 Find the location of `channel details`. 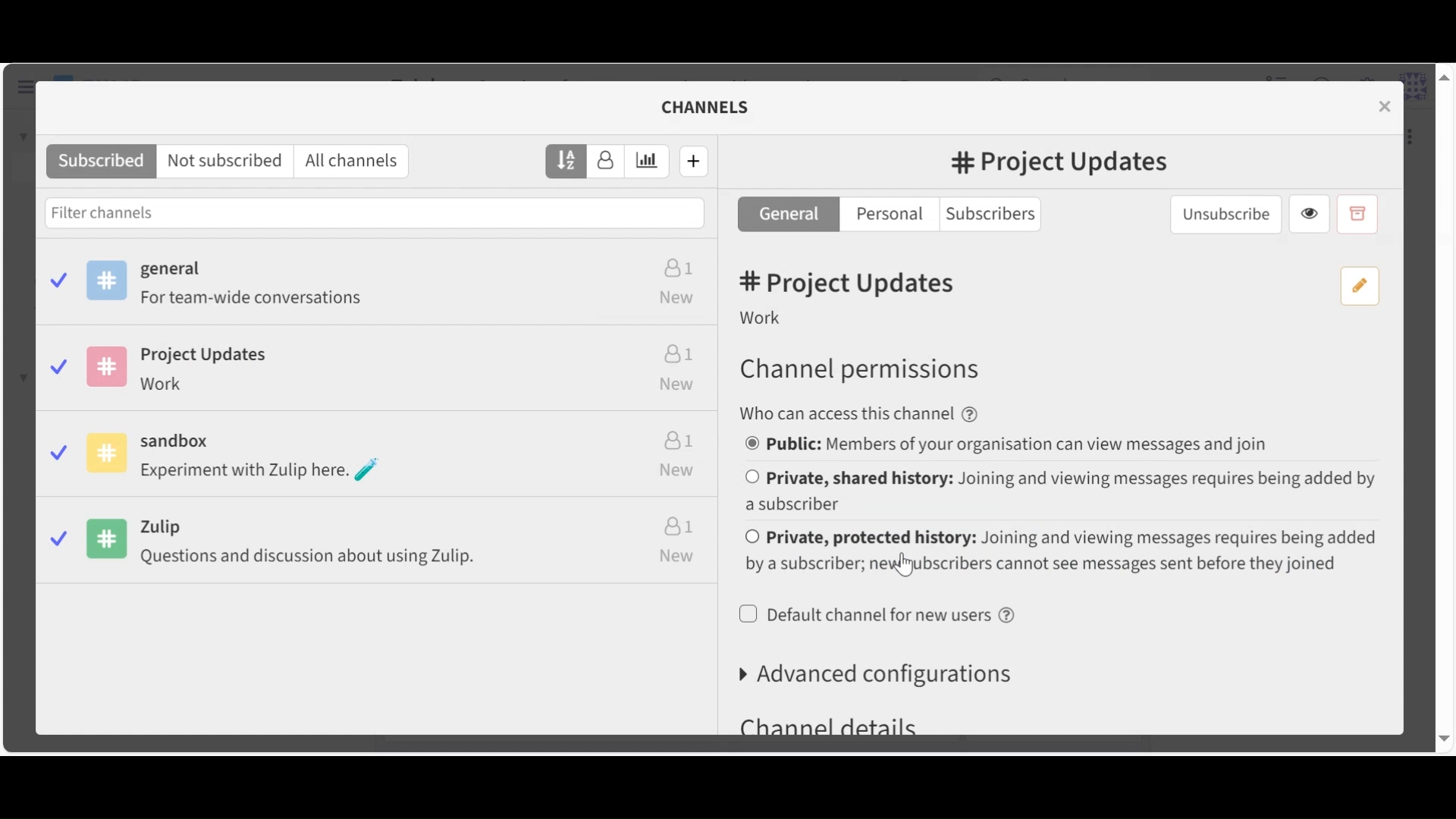

channel details is located at coordinates (854, 723).